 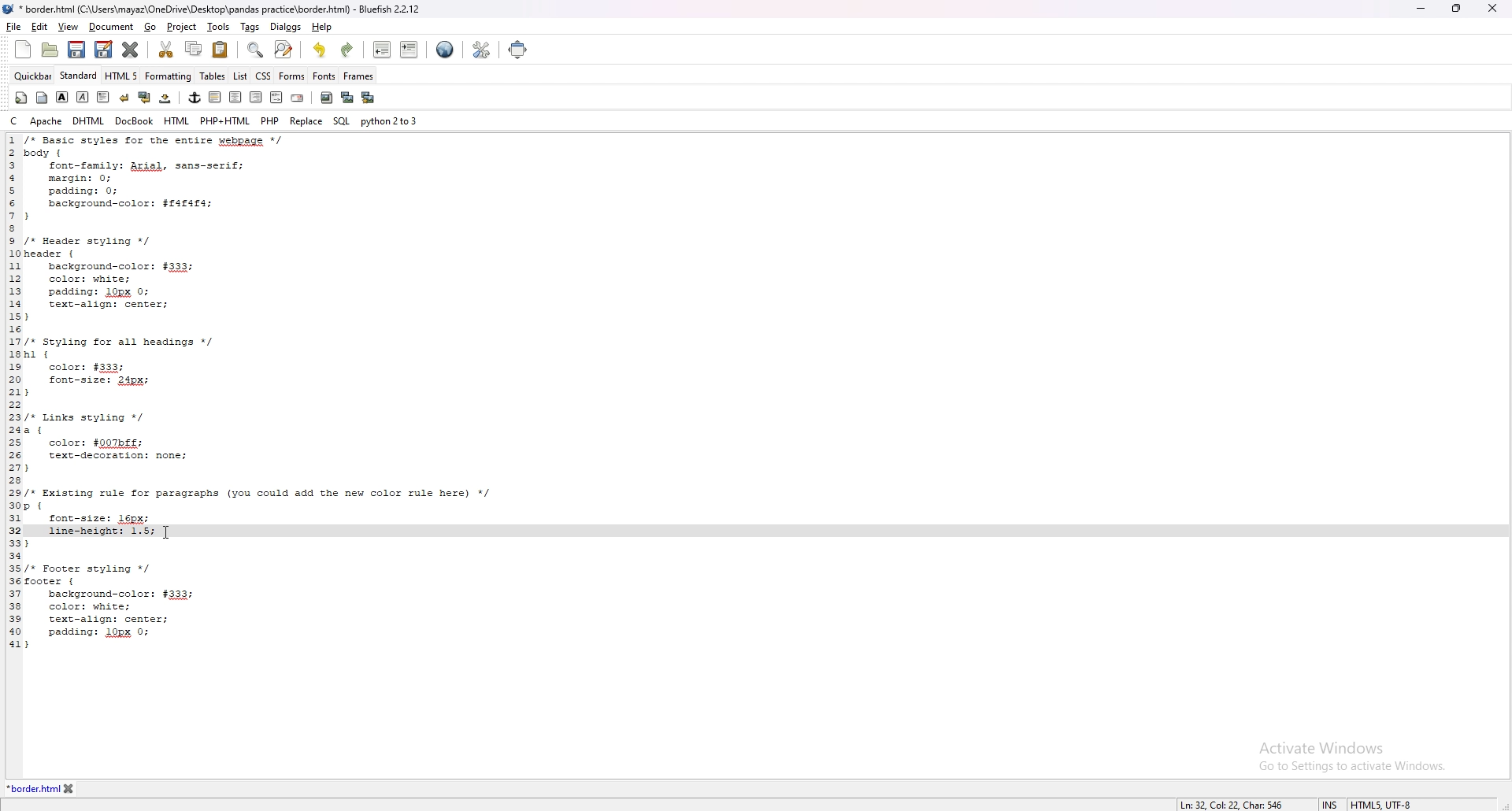 I want to click on dhtml, so click(x=90, y=120).